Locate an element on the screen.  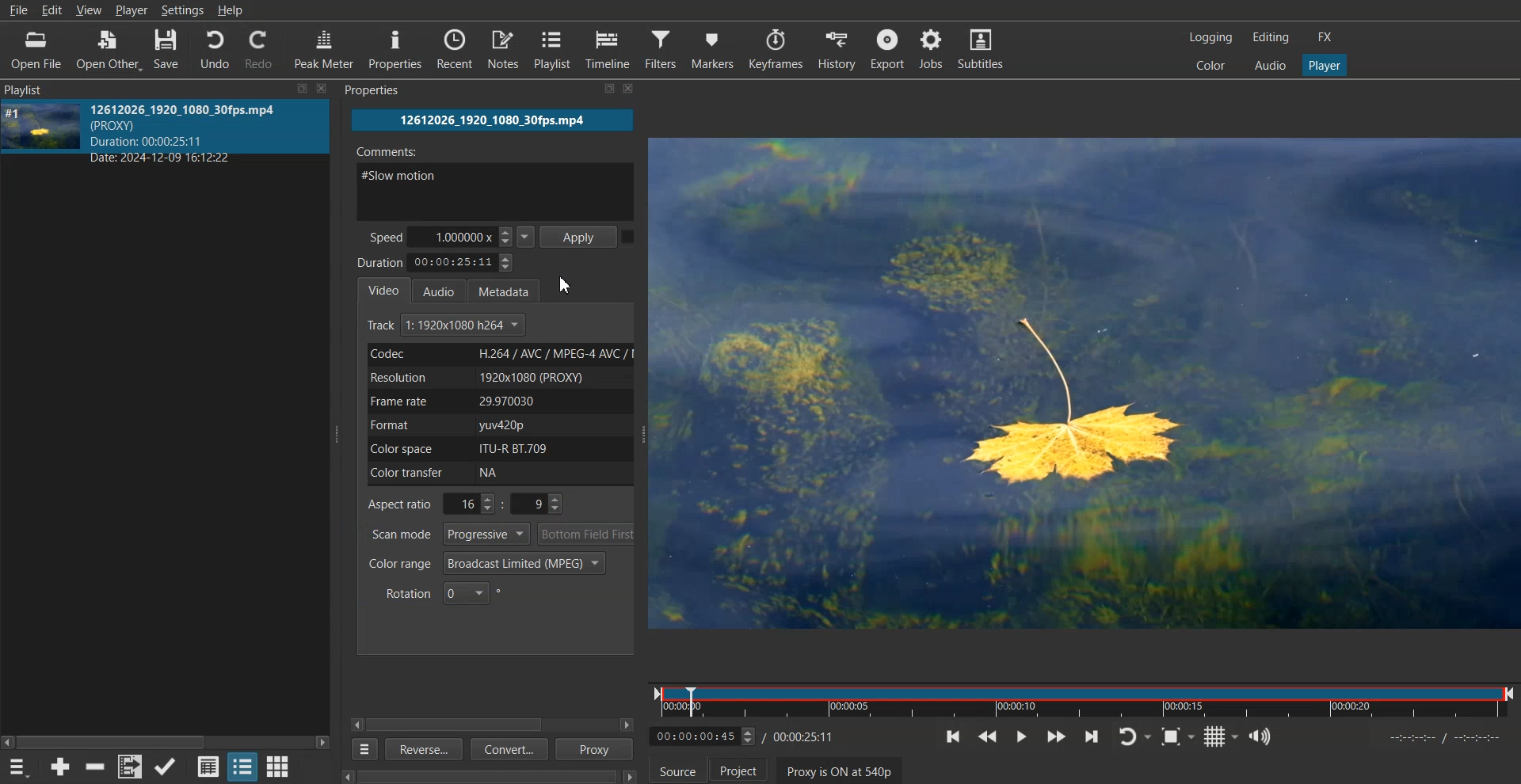
View as detail is located at coordinates (208, 766).